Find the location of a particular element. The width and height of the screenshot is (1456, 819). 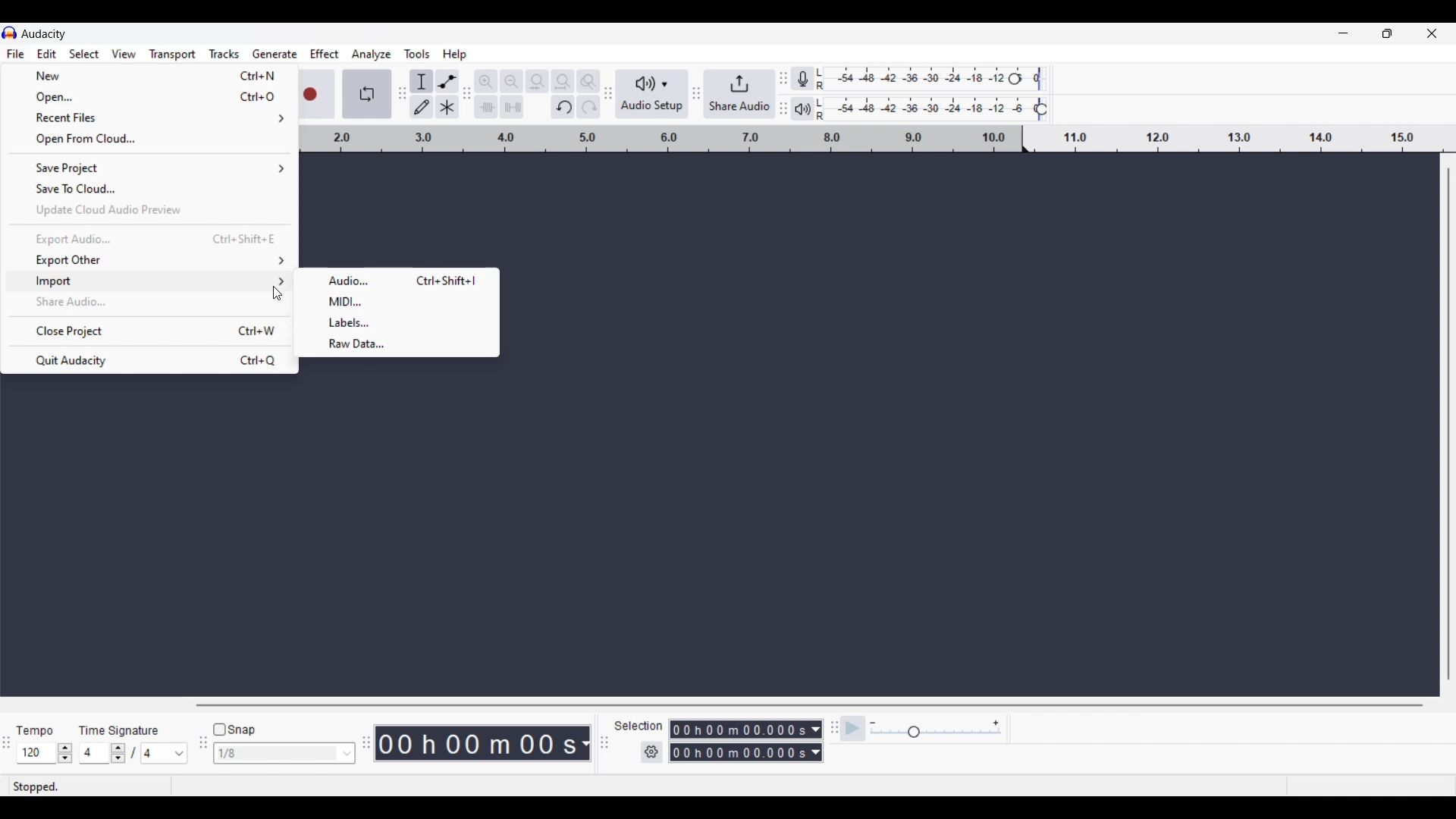

Raw data is located at coordinates (398, 345).